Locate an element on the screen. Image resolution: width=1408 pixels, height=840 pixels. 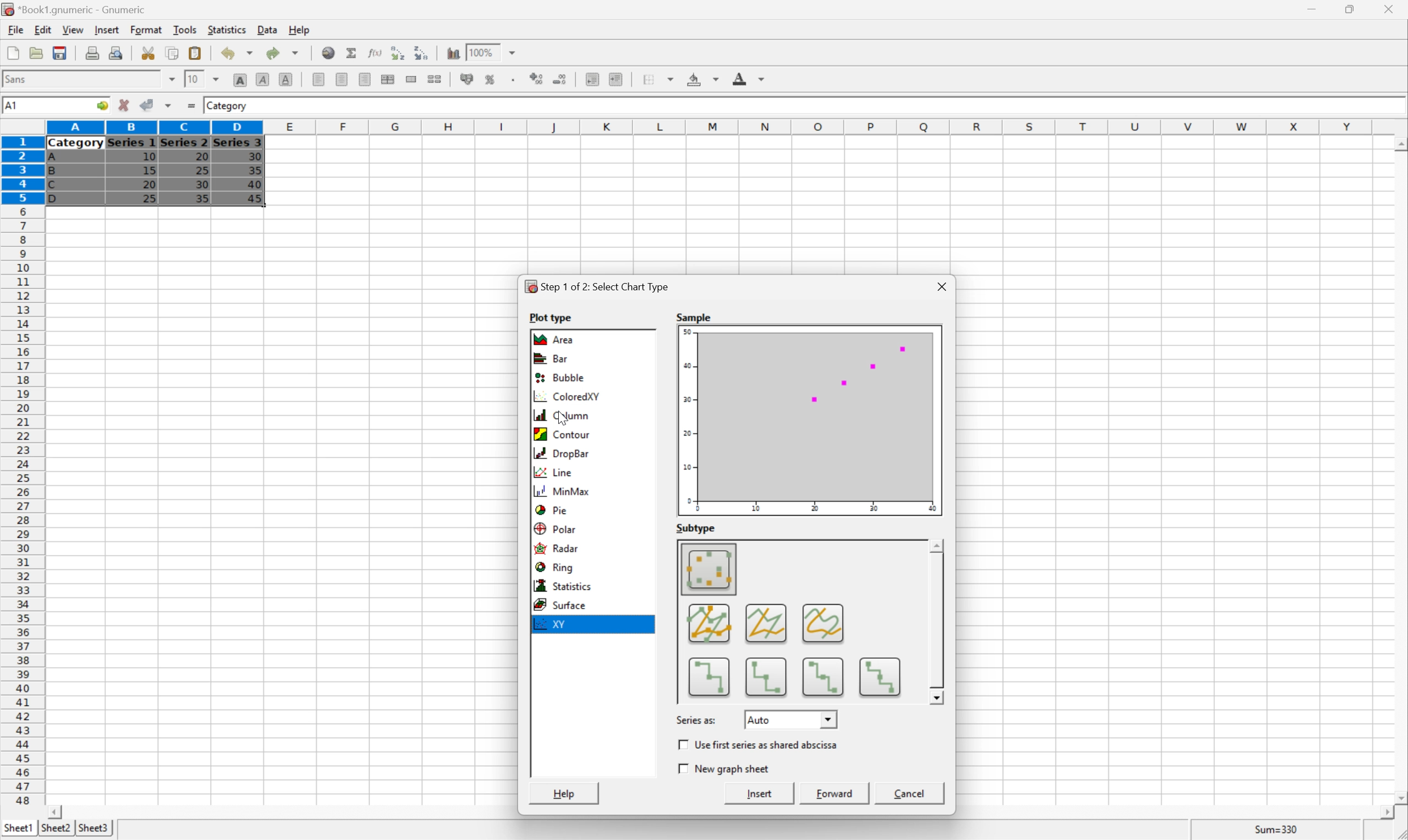
Scroll Right is located at coordinates (1383, 813).